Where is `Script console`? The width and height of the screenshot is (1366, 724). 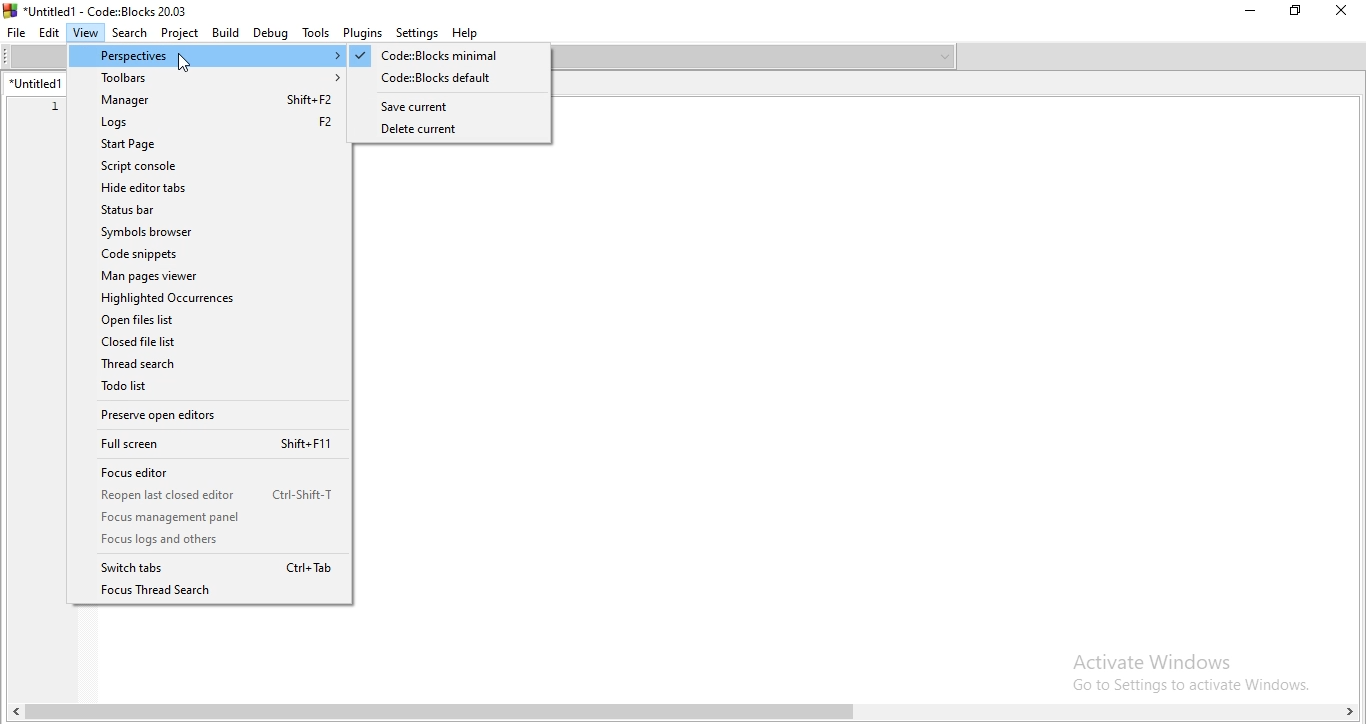
Script console is located at coordinates (212, 165).